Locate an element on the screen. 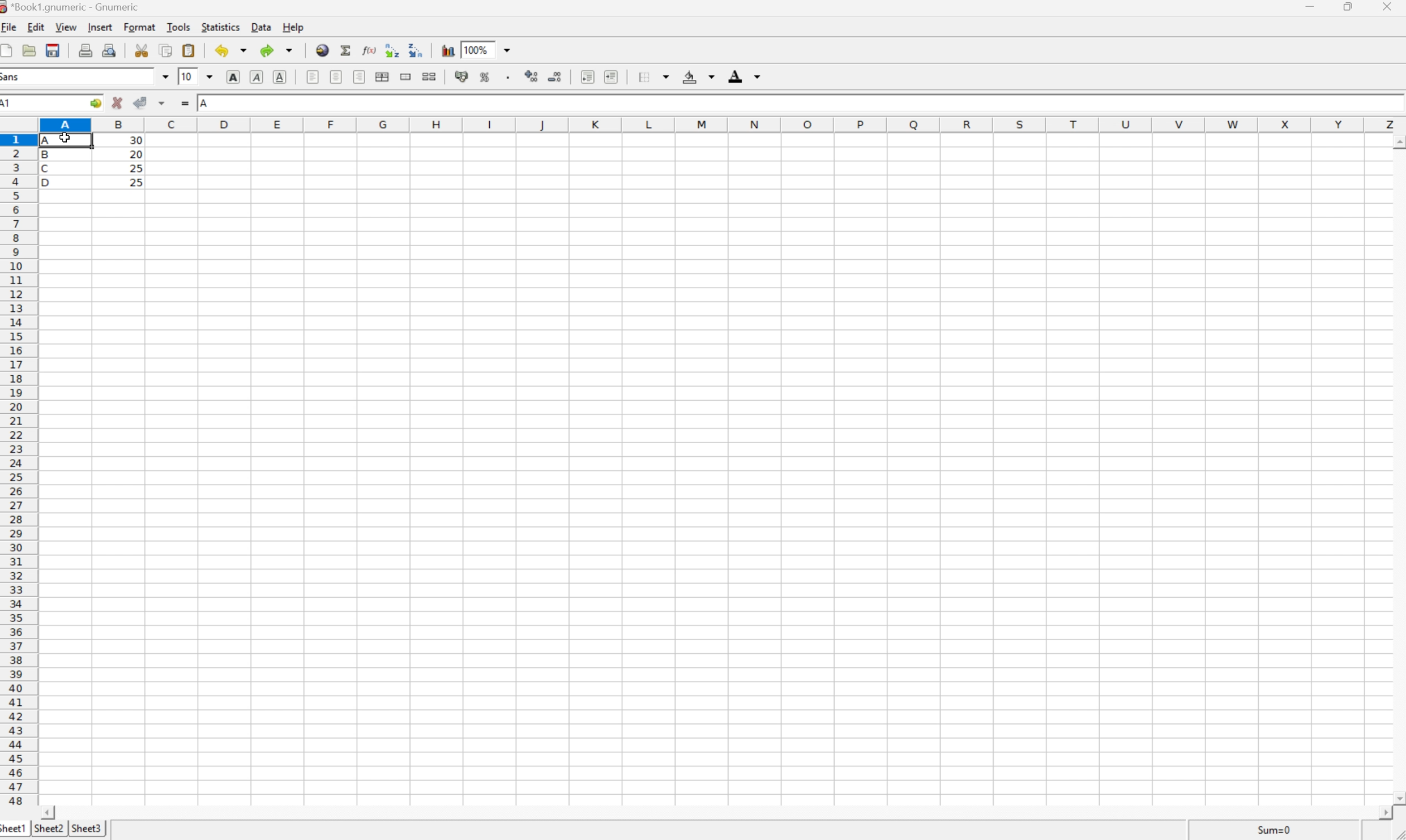  Set the format of the selected cells to include a thousands separator is located at coordinates (507, 78).